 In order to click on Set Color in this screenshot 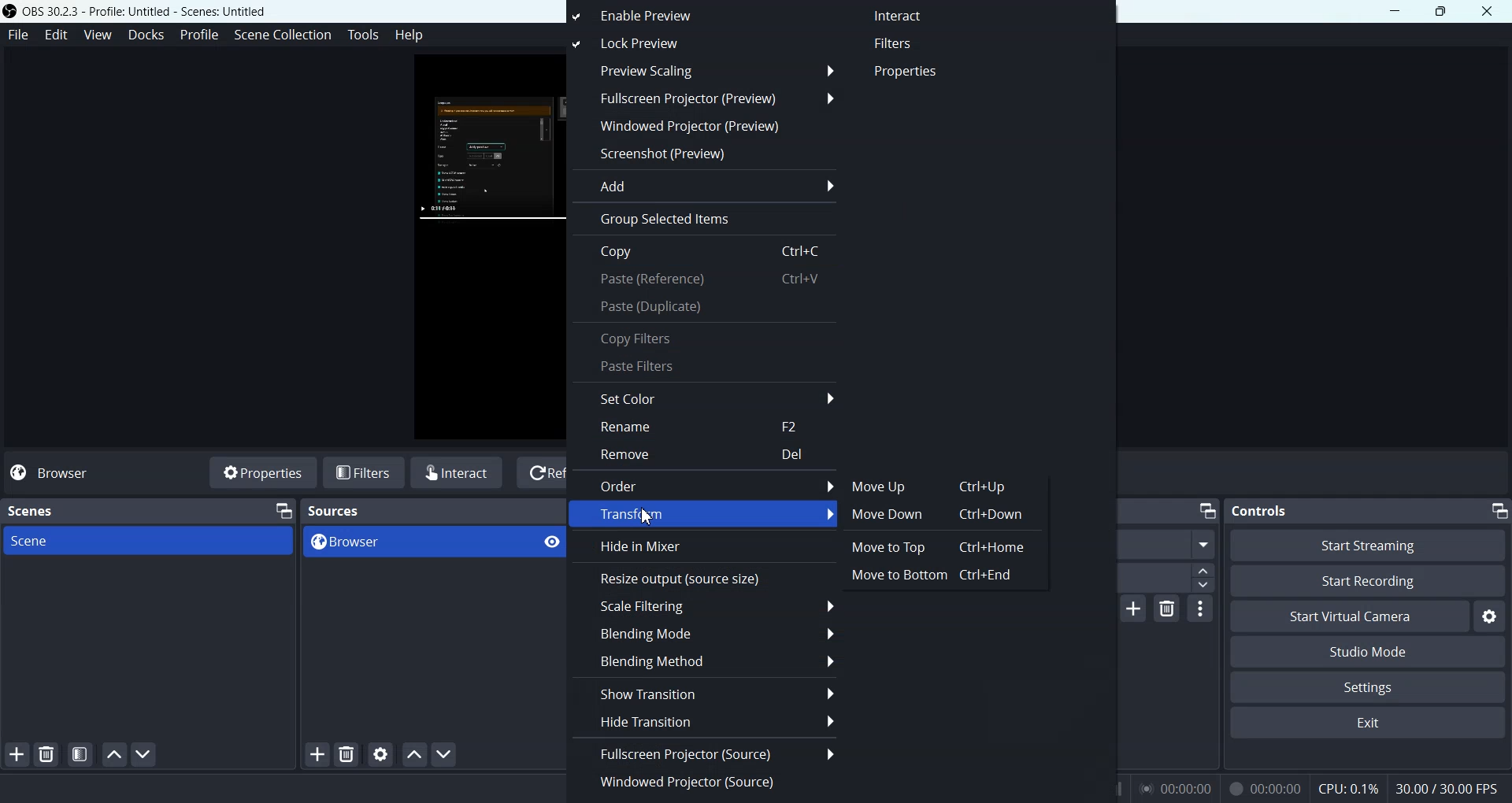, I will do `click(705, 397)`.